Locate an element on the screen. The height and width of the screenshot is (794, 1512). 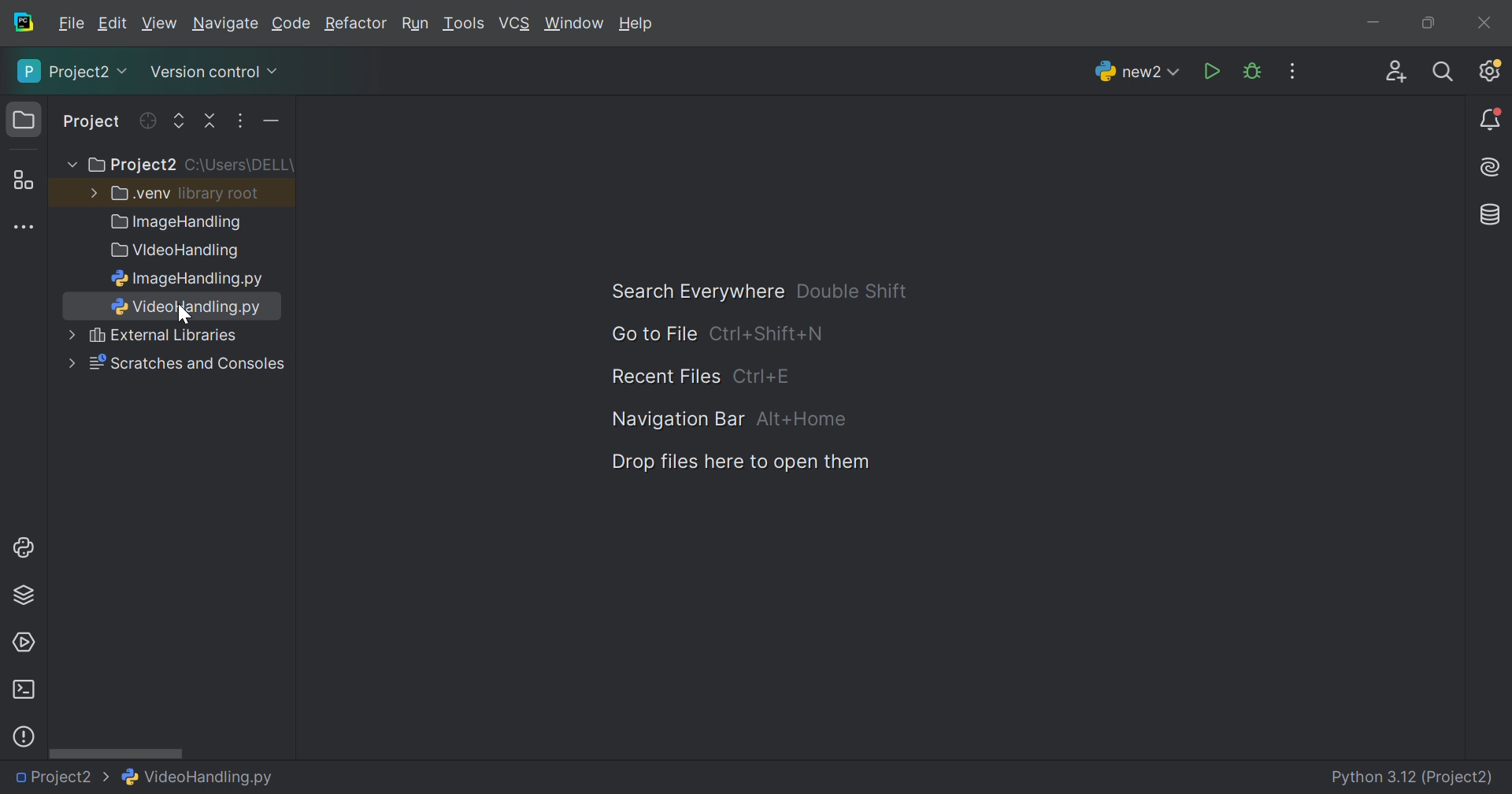
Terminal is located at coordinates (23, 690).